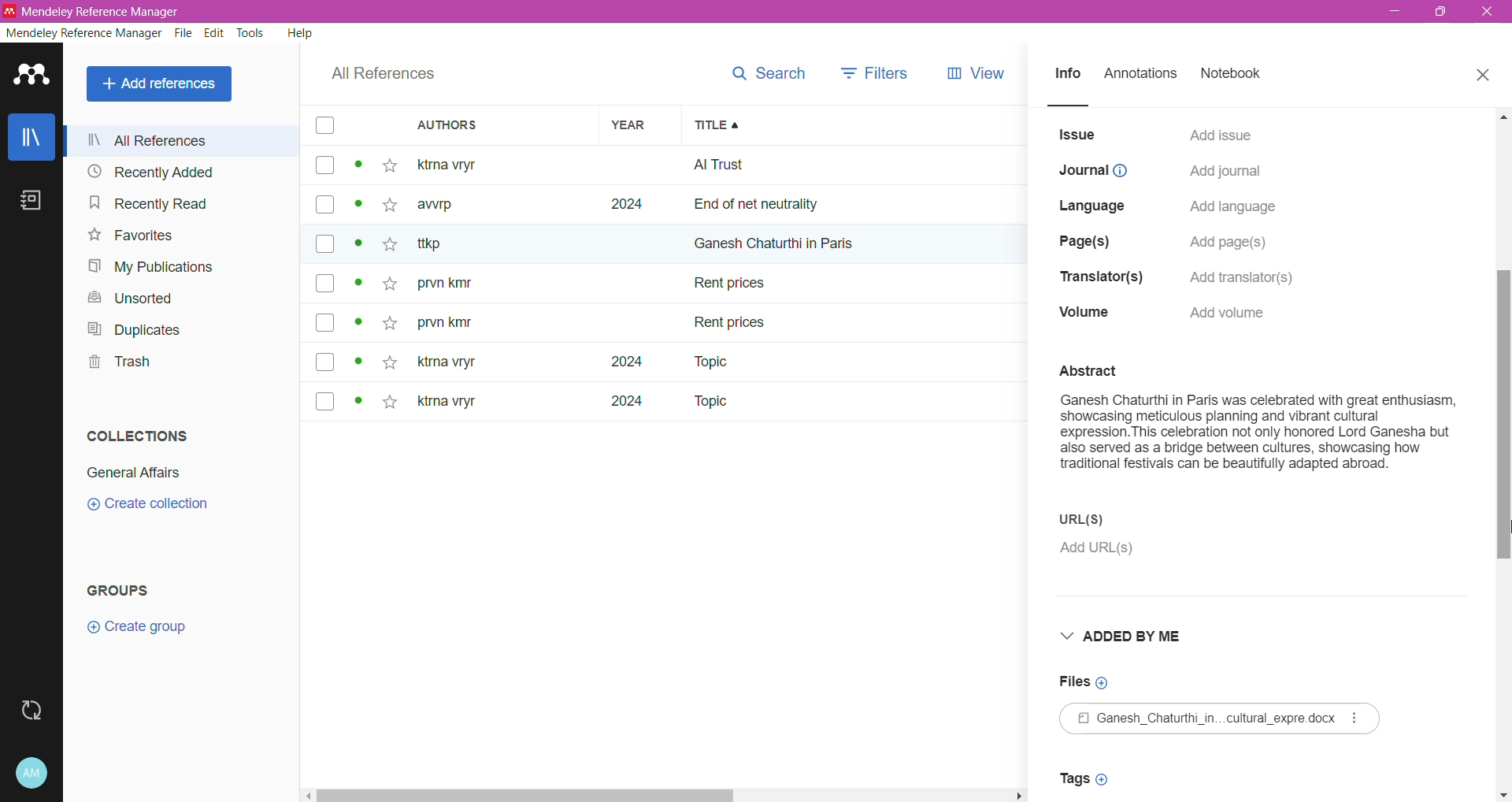 Image resolution: width=1512 pixels, height=802 pixels. What do you see at coordinates (135, 329) in the screenshot?
I see `Duplicates` at bounding box center [135, 329].